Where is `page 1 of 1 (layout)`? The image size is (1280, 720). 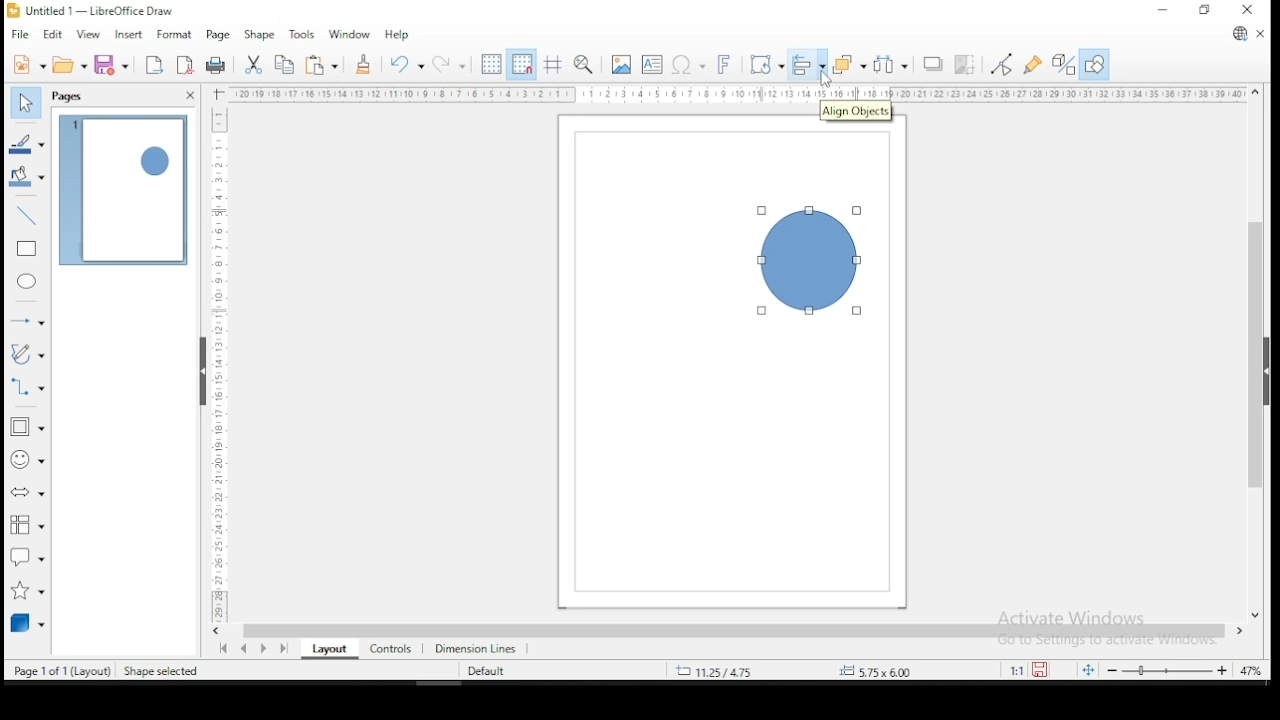 page 1 of 1 (layout) is located at coordinates (63, 670).